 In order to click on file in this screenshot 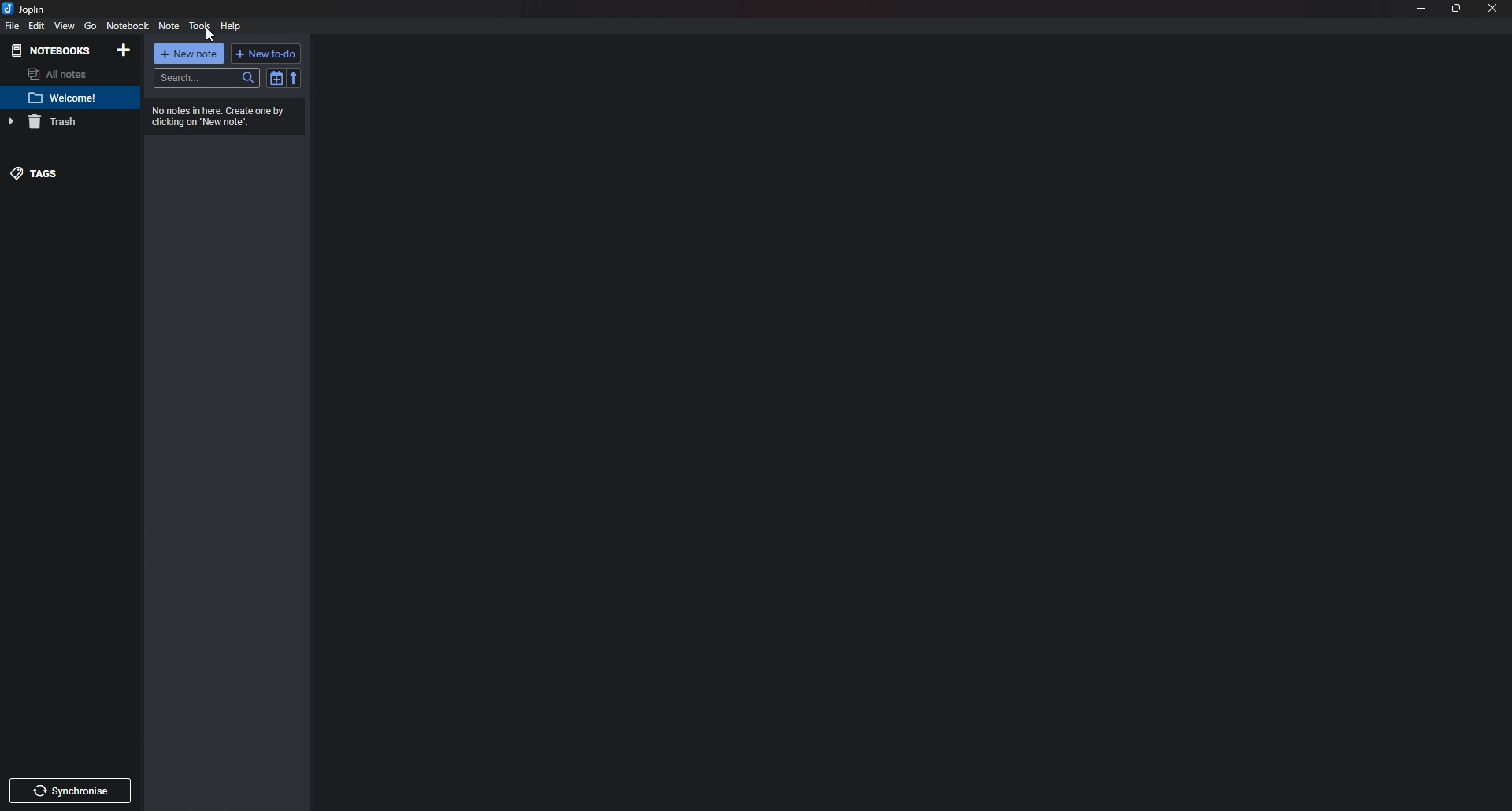, I will do `click(11, 27)`.